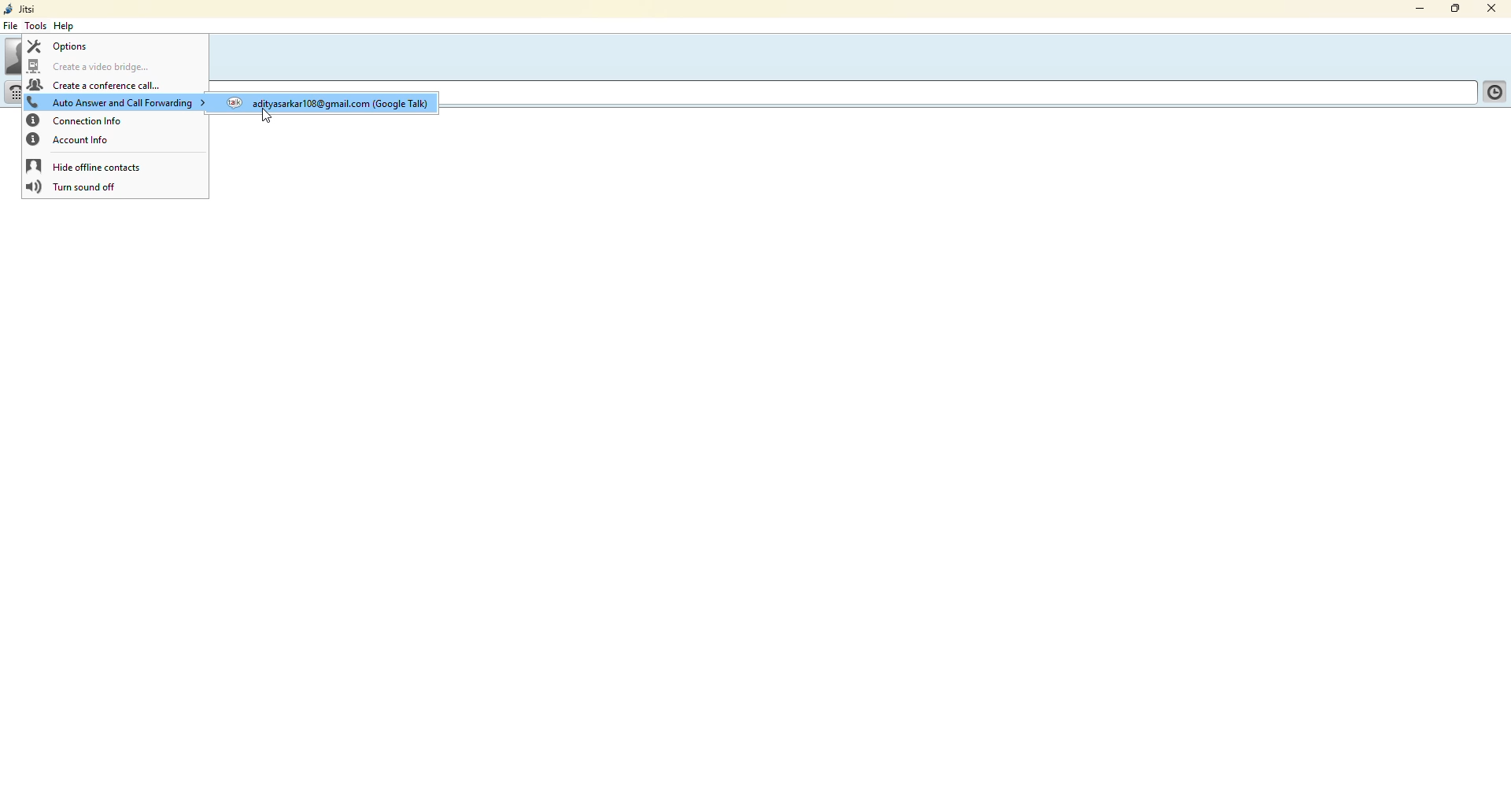 The width and height of the screenshot is (1511, 812). Describe the element at coordinates (39, 26) in the screenshot. I see `tools` at that location.